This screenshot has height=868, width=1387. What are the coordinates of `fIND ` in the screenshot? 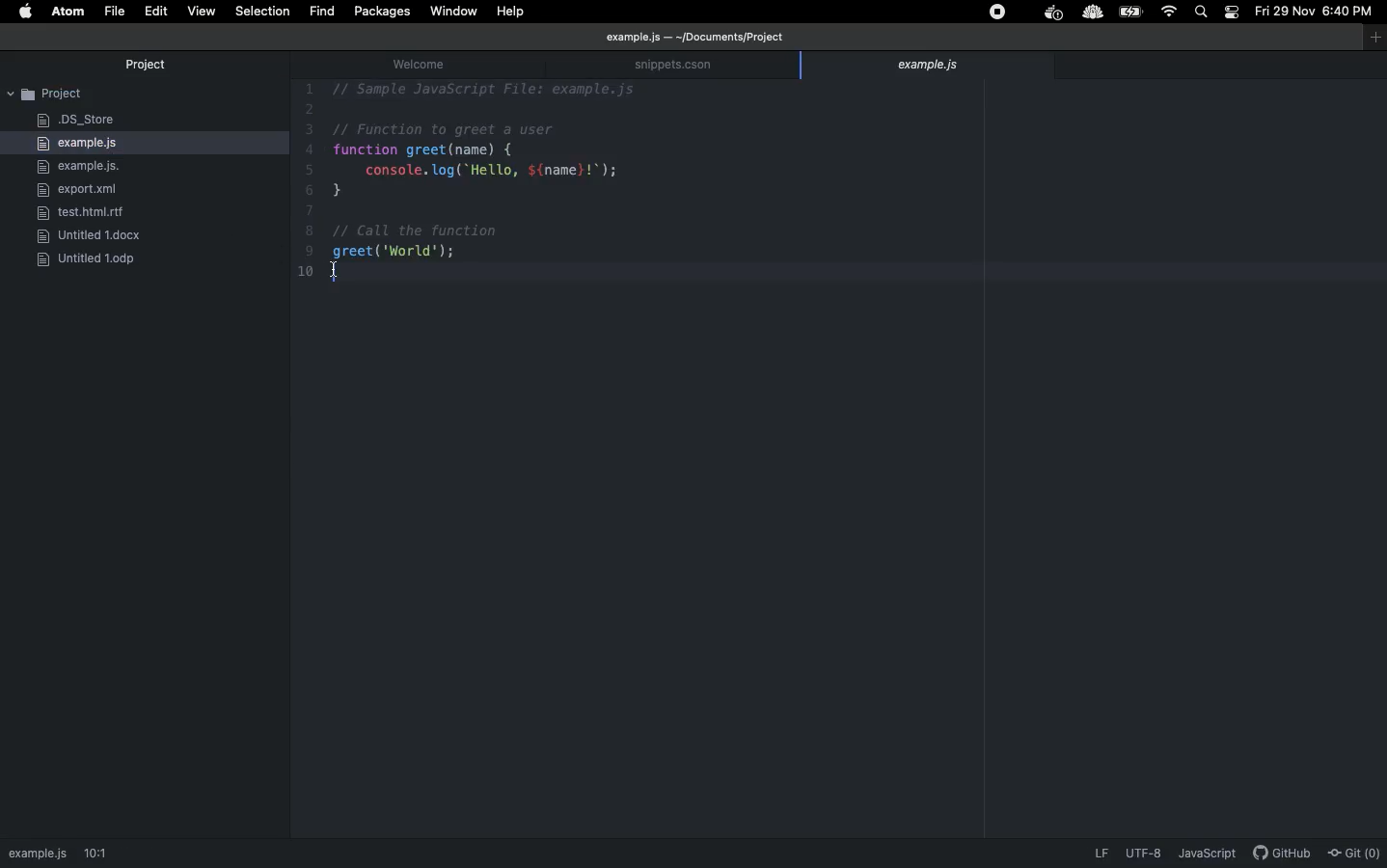 It's located at (321, 11).